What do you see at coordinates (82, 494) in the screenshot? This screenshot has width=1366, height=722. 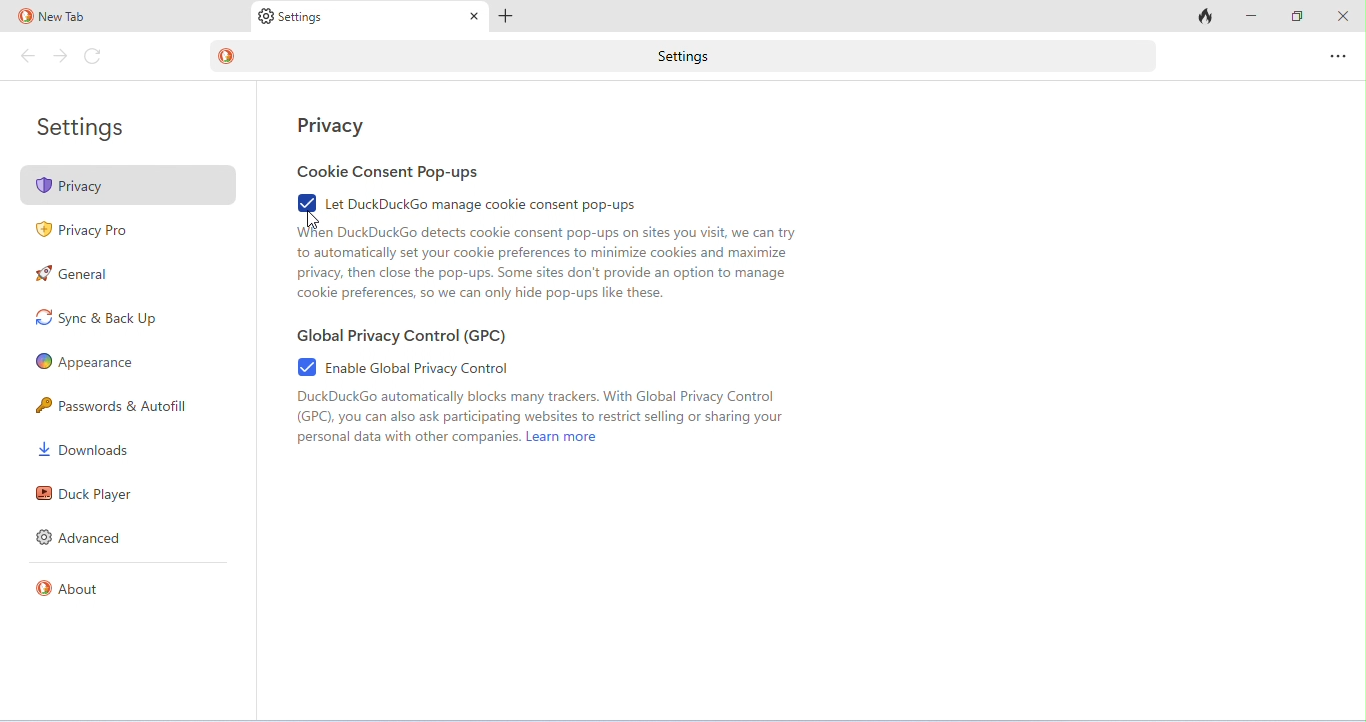 I see `duck player` at bounding box center [82, 494].